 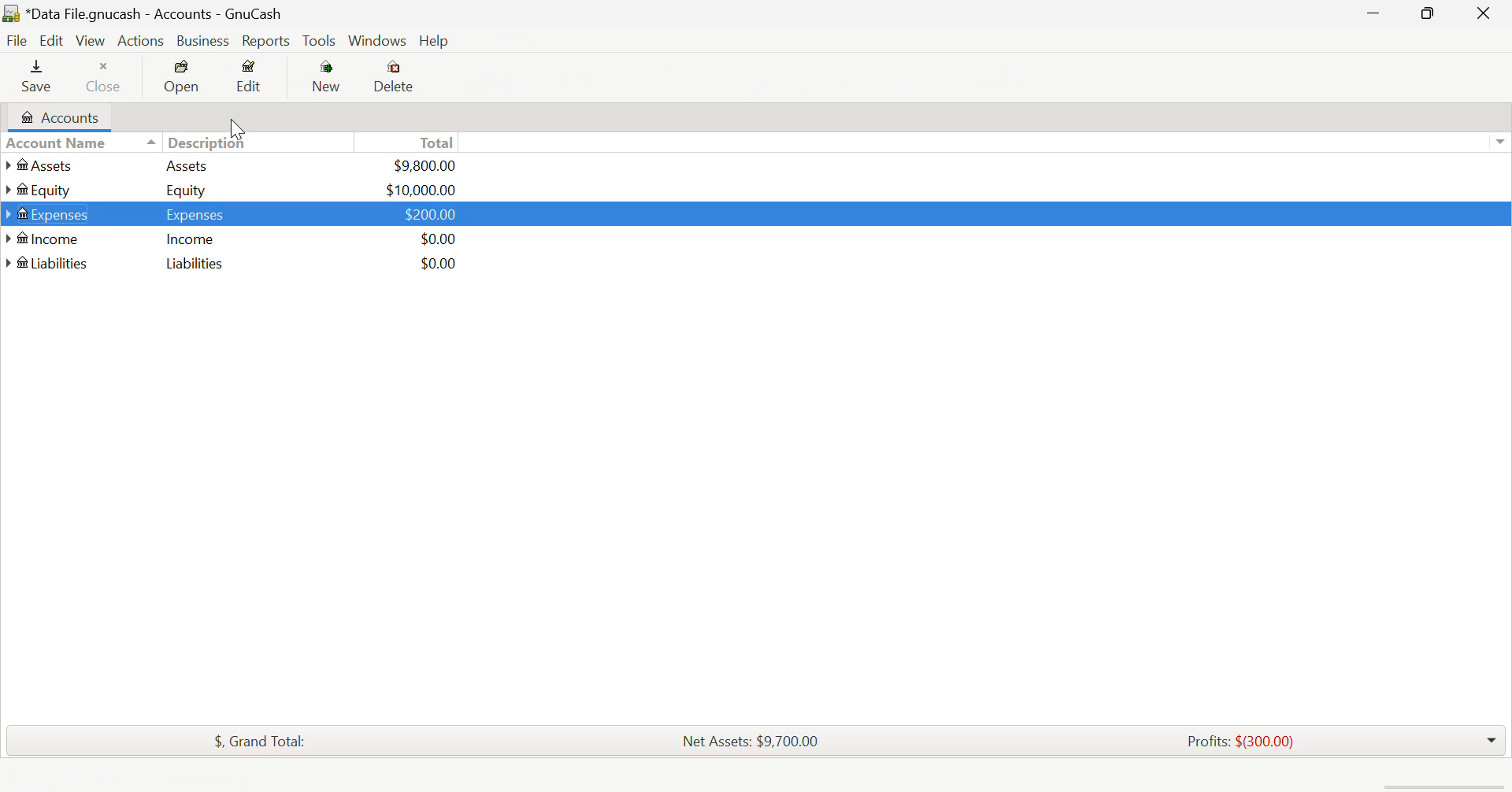 I want to click on Edit, so click(x=254, y=78).